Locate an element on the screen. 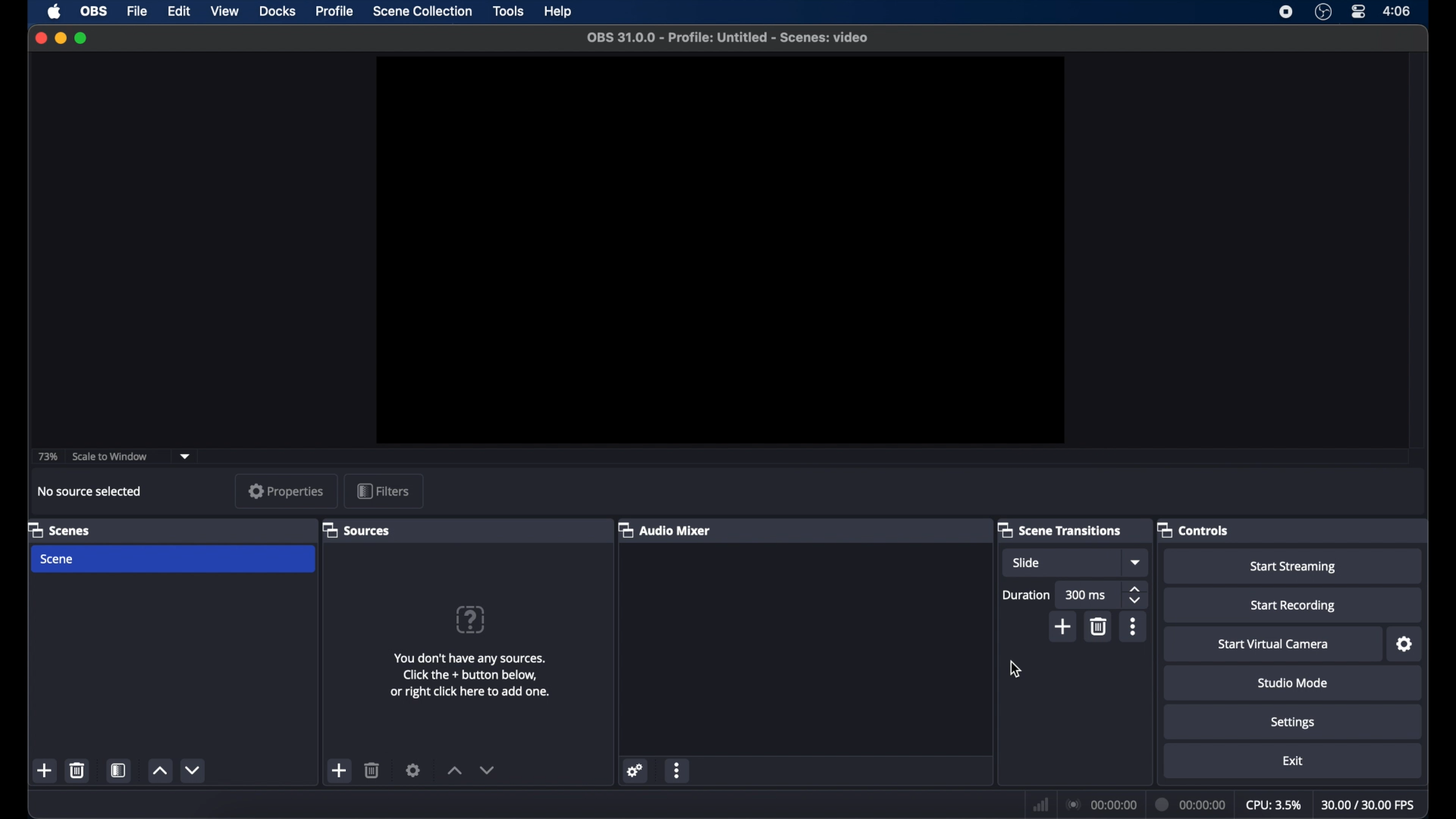 The width and height of the screenshot is (1456, 819). close is located at coordinates (38, 37).